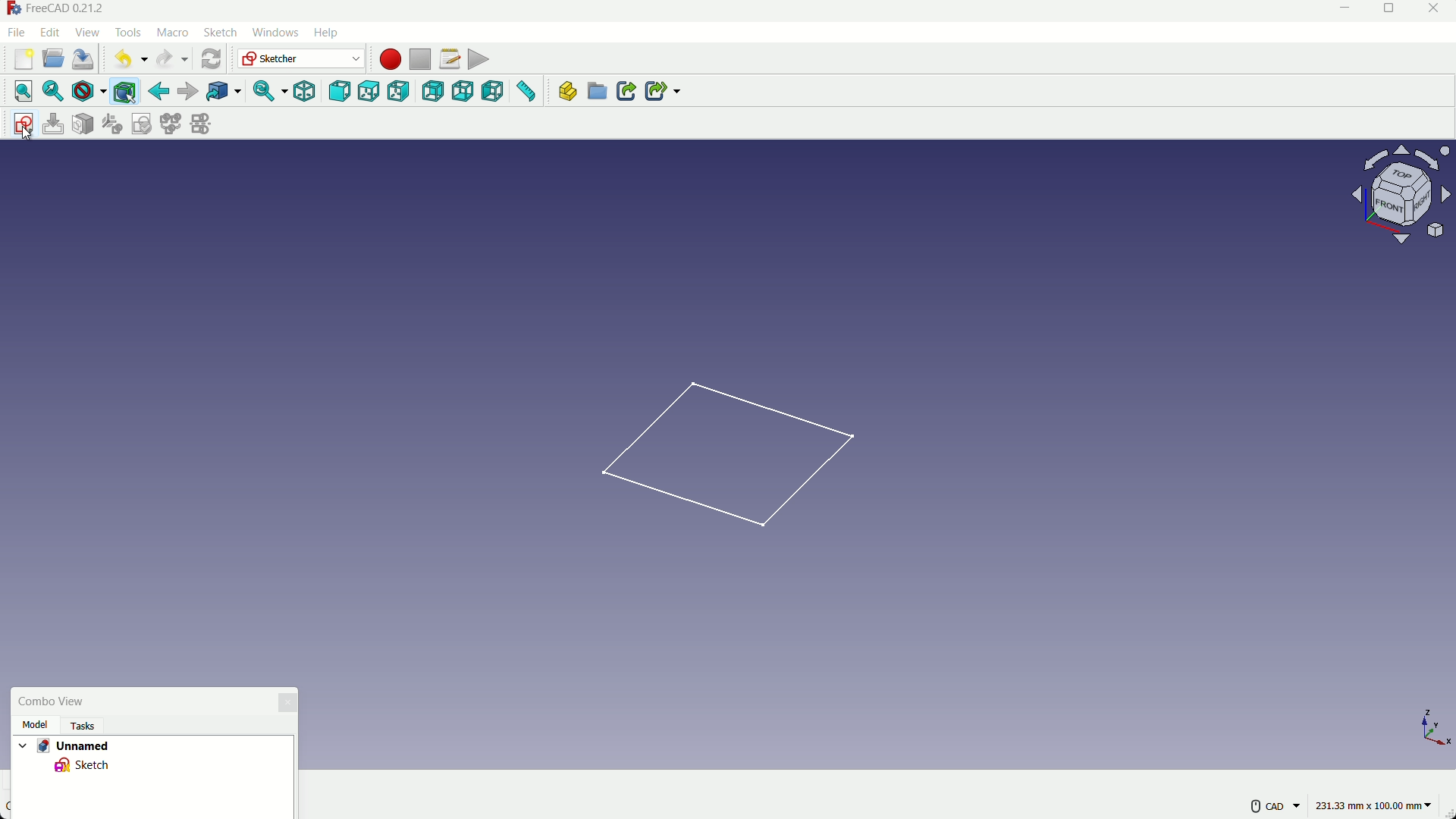 The width and height of the screenshot is (1456, 819). Describe the element at coordinates (331, 33) in the screenshot. I see `help menu` at that location.